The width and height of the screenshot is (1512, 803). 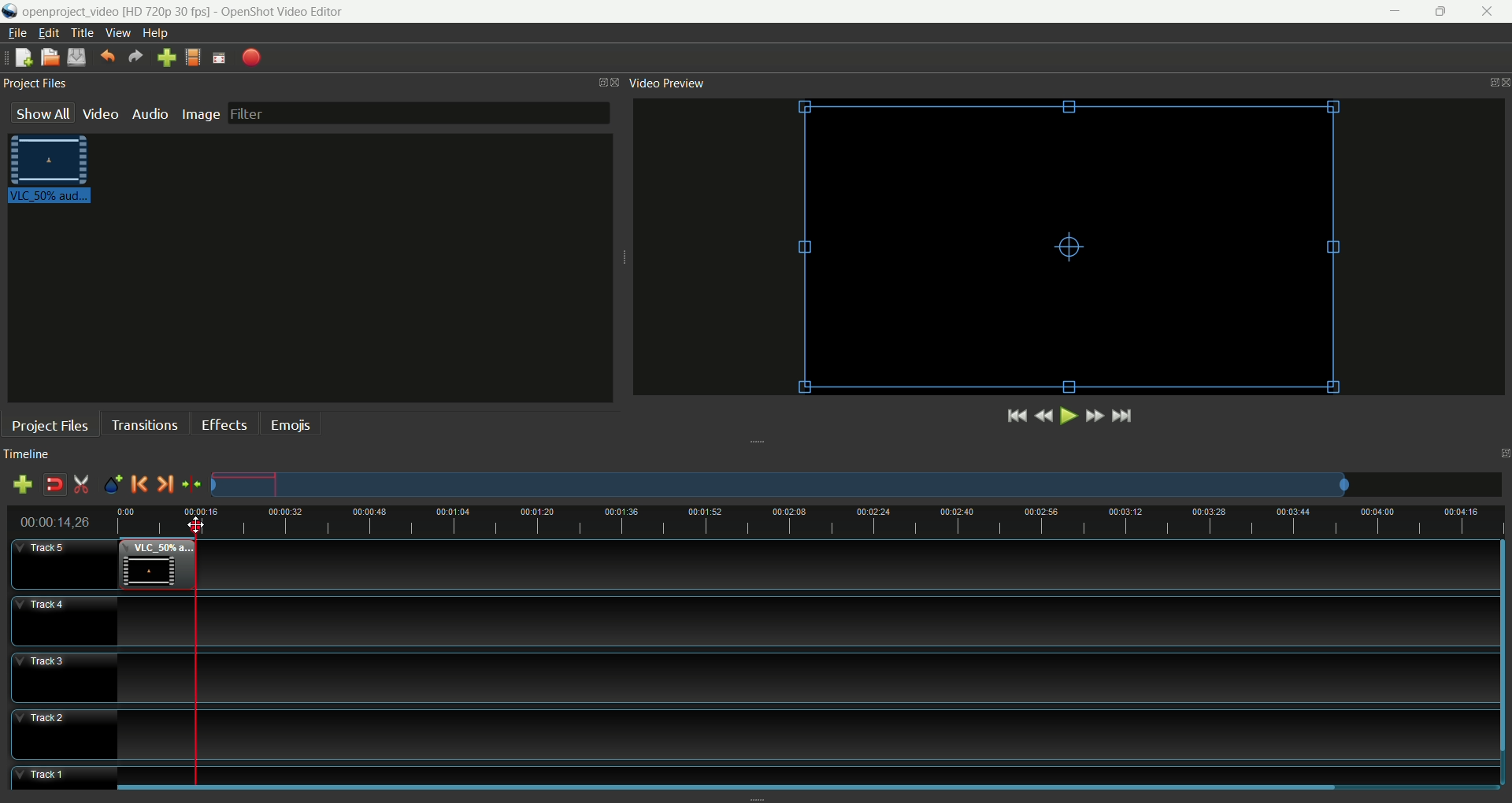 I want to click on title, so click(x=82, y=33).